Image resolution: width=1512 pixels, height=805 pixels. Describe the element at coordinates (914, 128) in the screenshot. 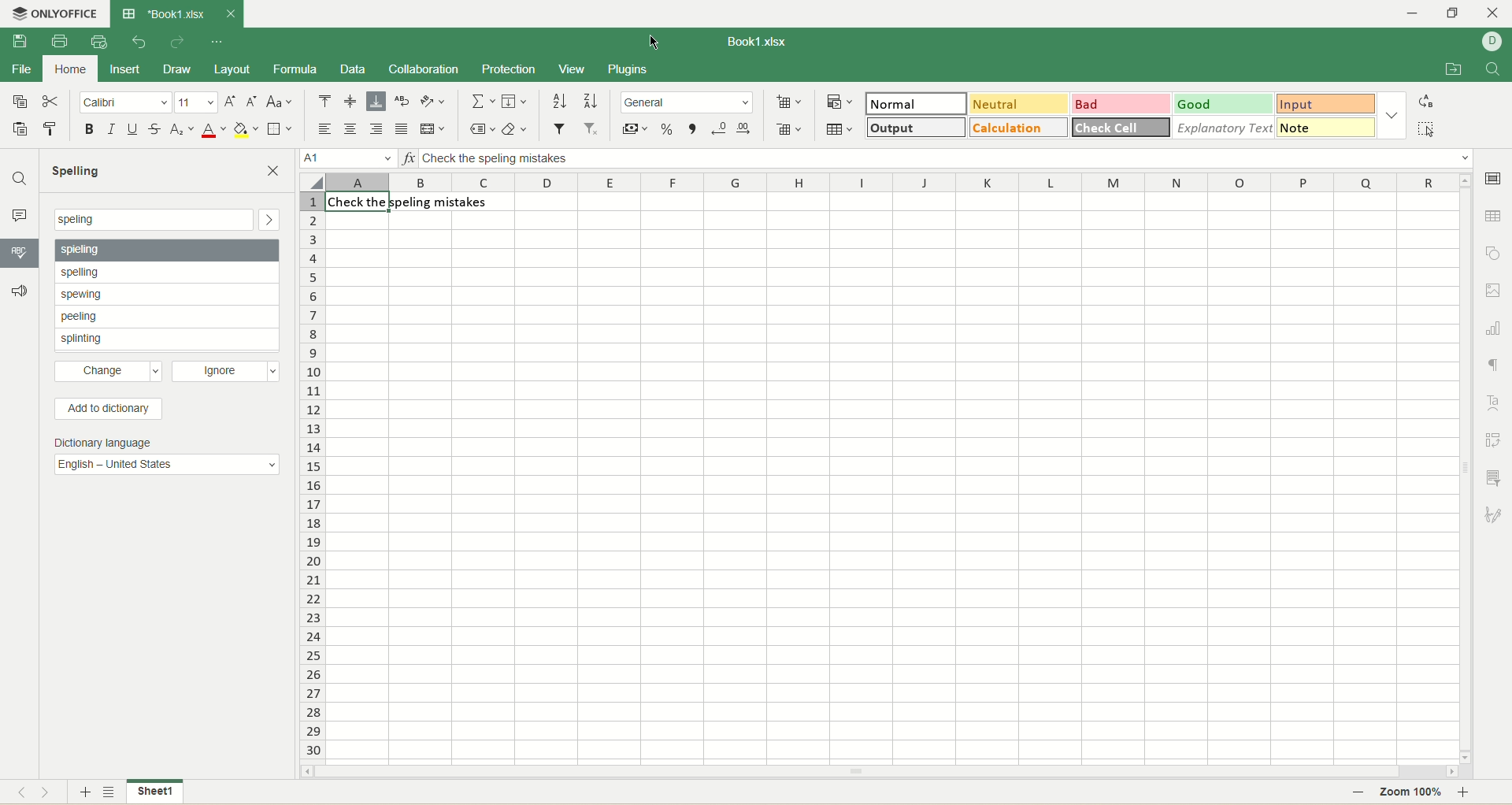

I see `output` at that location.